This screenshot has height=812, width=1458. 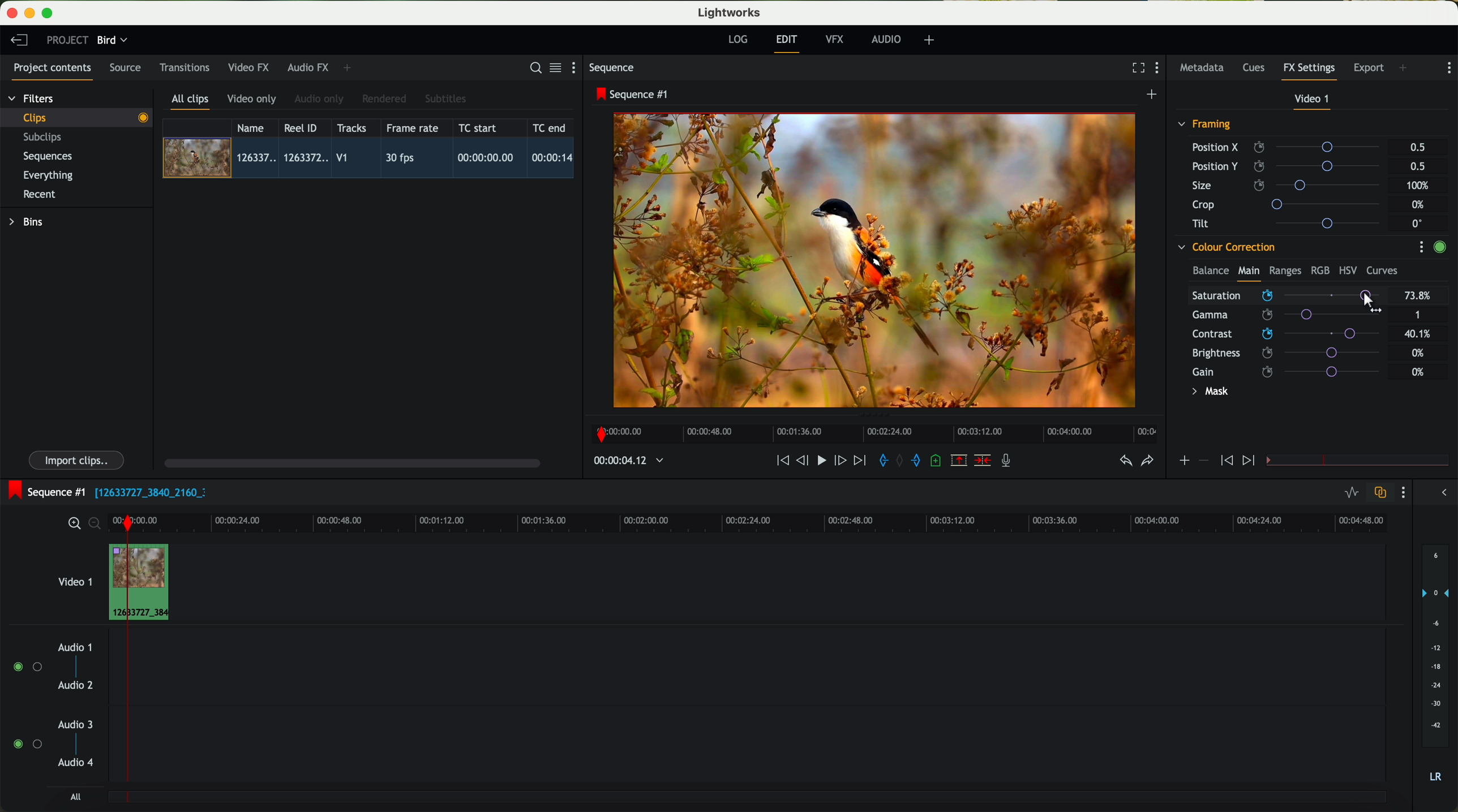 What do you see at coordinates (1313, 101) in the screenshot?
I see `video 1` at bounding box center [1313, 101].